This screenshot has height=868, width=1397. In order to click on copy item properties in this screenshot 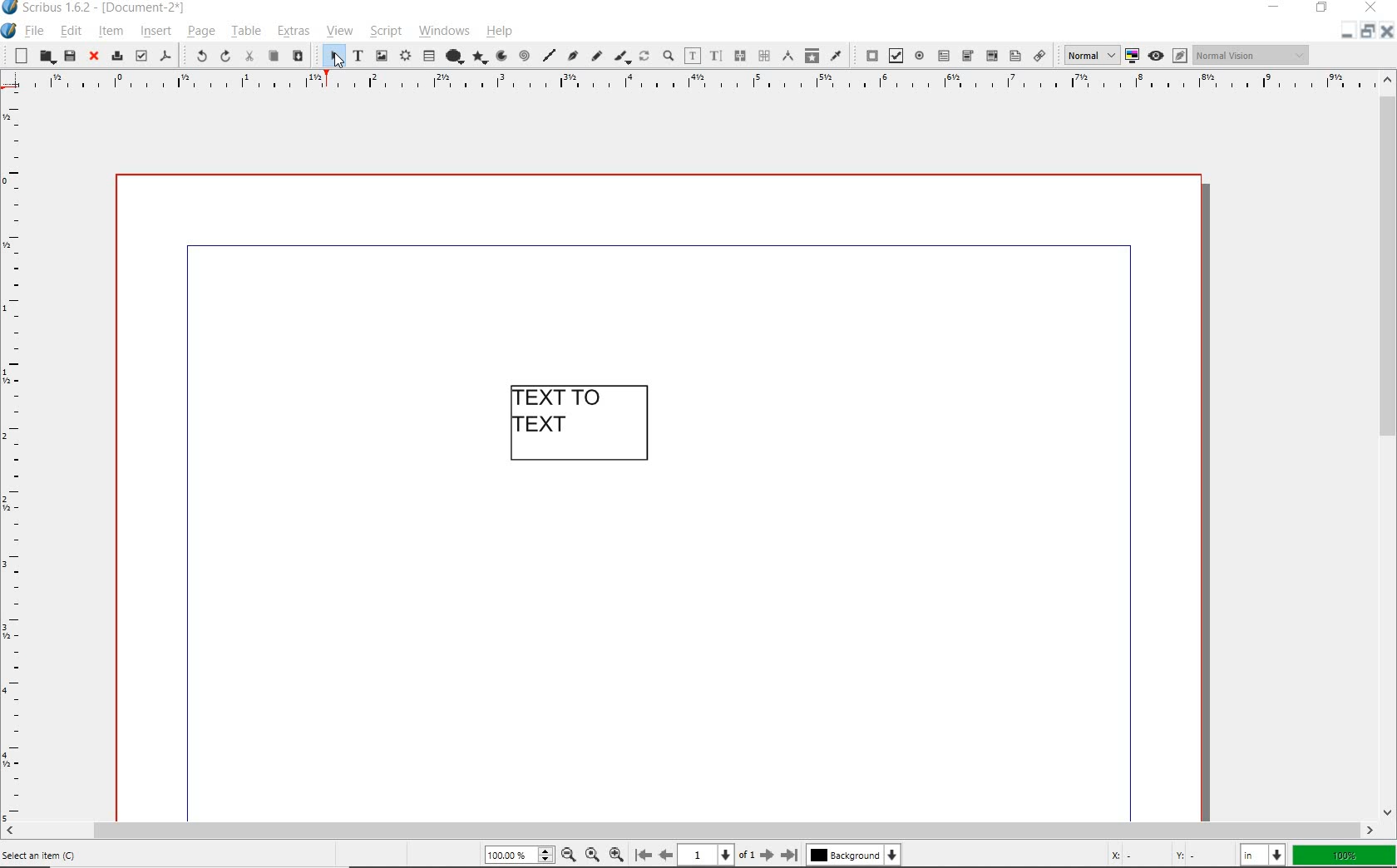, I will do `click(812, 55)`.